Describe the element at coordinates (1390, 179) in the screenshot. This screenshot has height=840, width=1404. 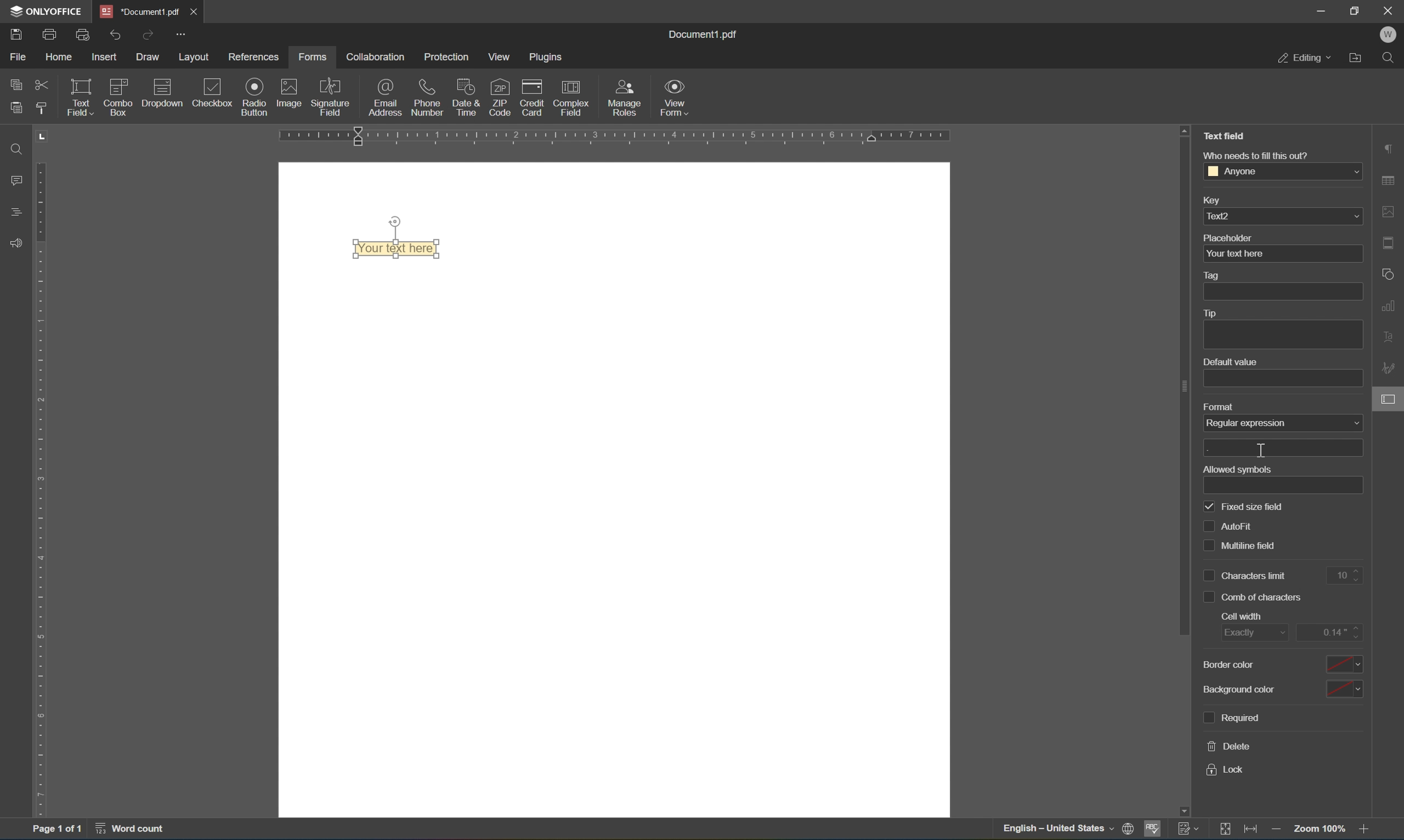
I see `table settings` at that location.